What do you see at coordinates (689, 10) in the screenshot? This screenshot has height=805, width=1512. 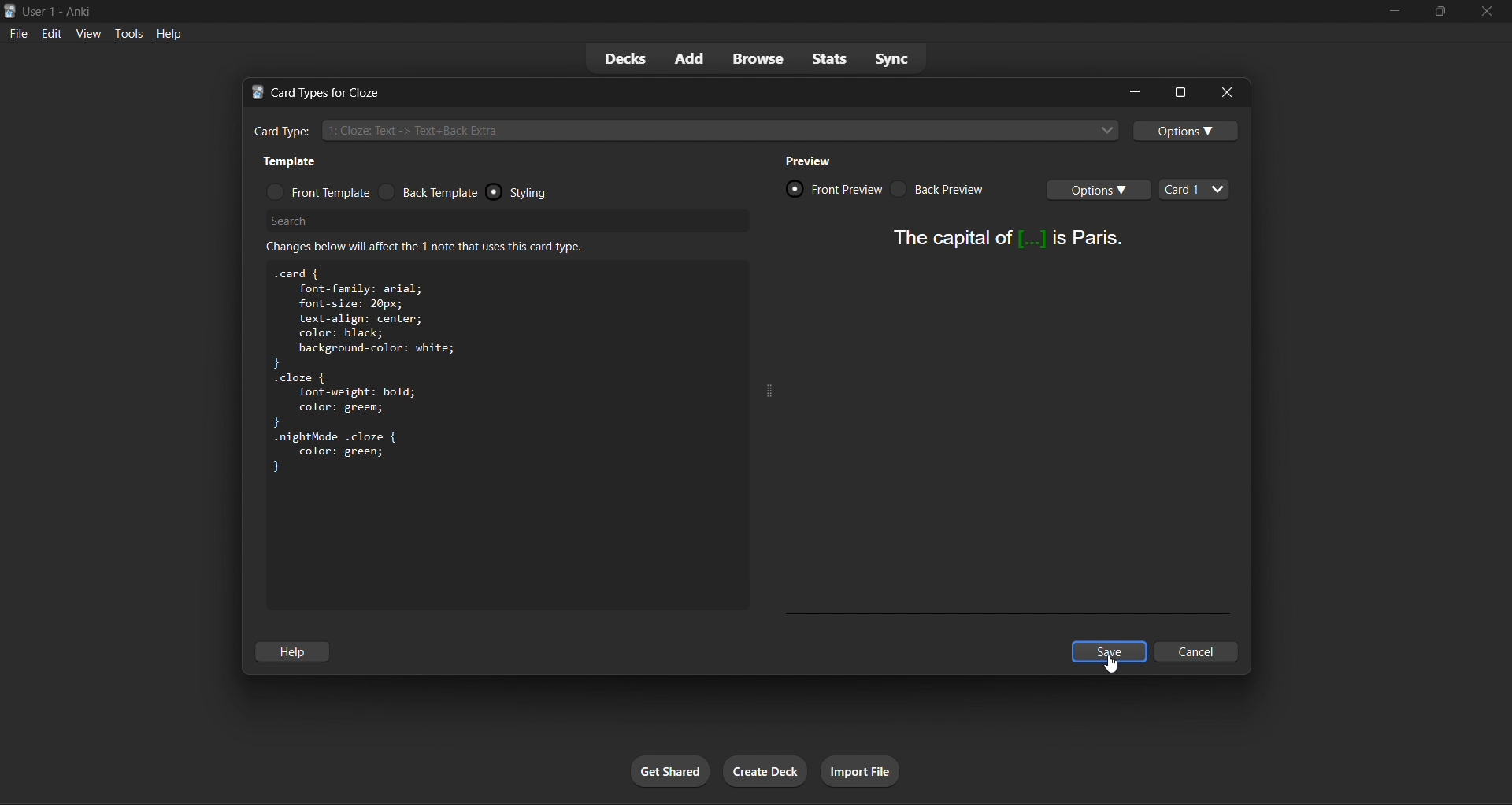 I see `title bar` at bounding box center [689, 10].